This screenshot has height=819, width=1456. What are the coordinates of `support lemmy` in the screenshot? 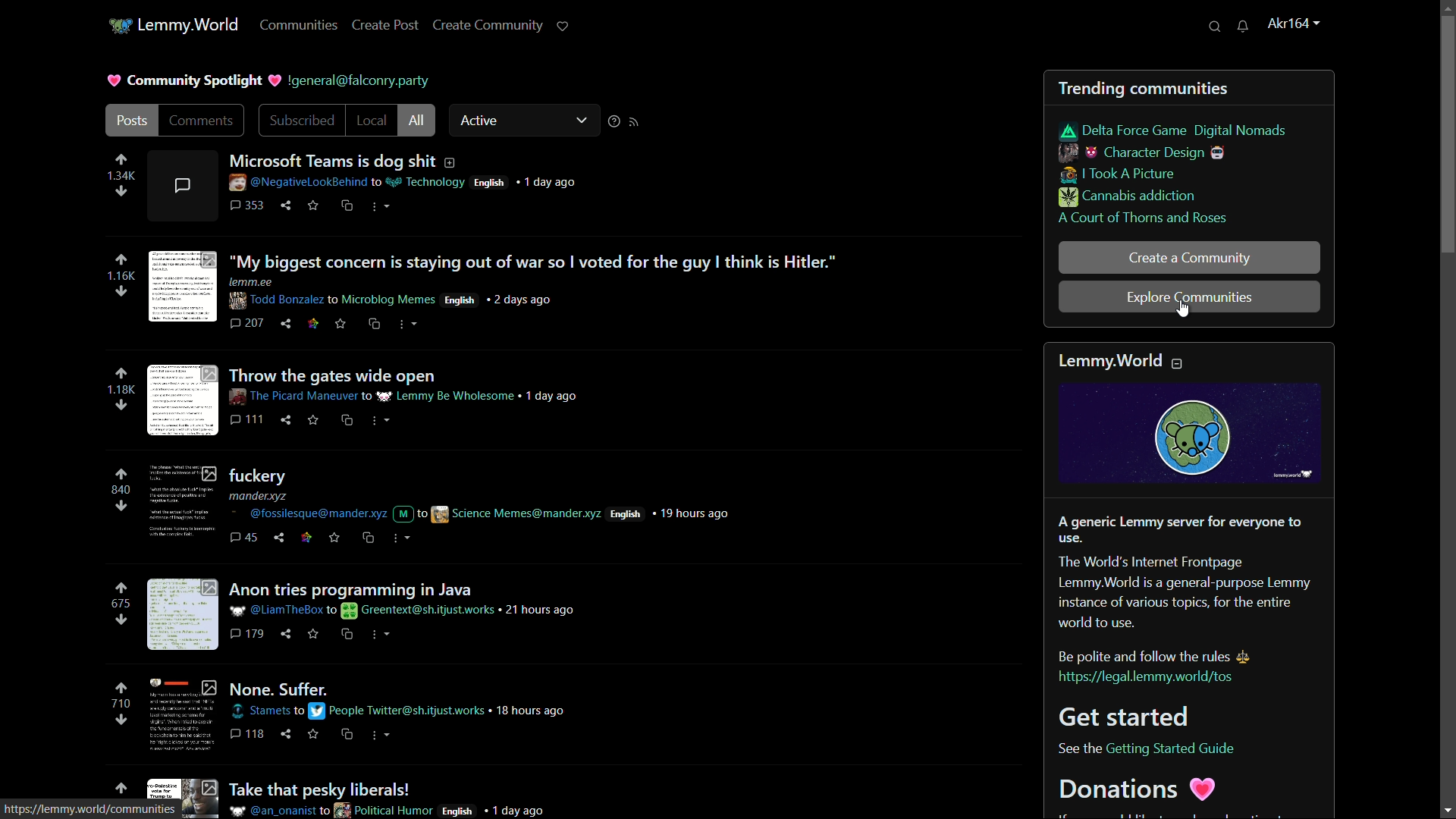 It's located at (565, 24).